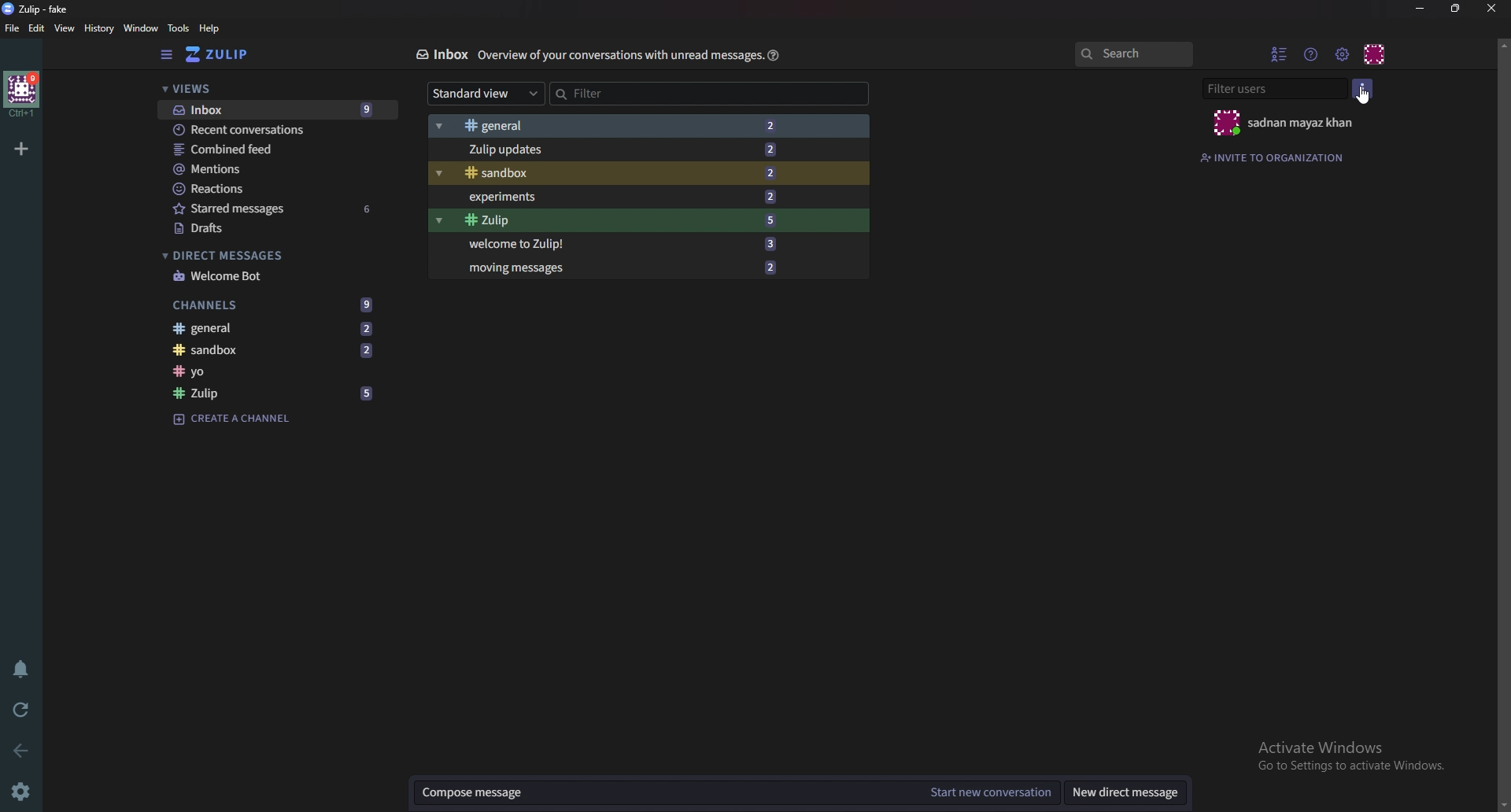  What do you see at coordinates (270, 130) in the screenshot?
I see `Recent conversations` at bounding box center [270, 130].